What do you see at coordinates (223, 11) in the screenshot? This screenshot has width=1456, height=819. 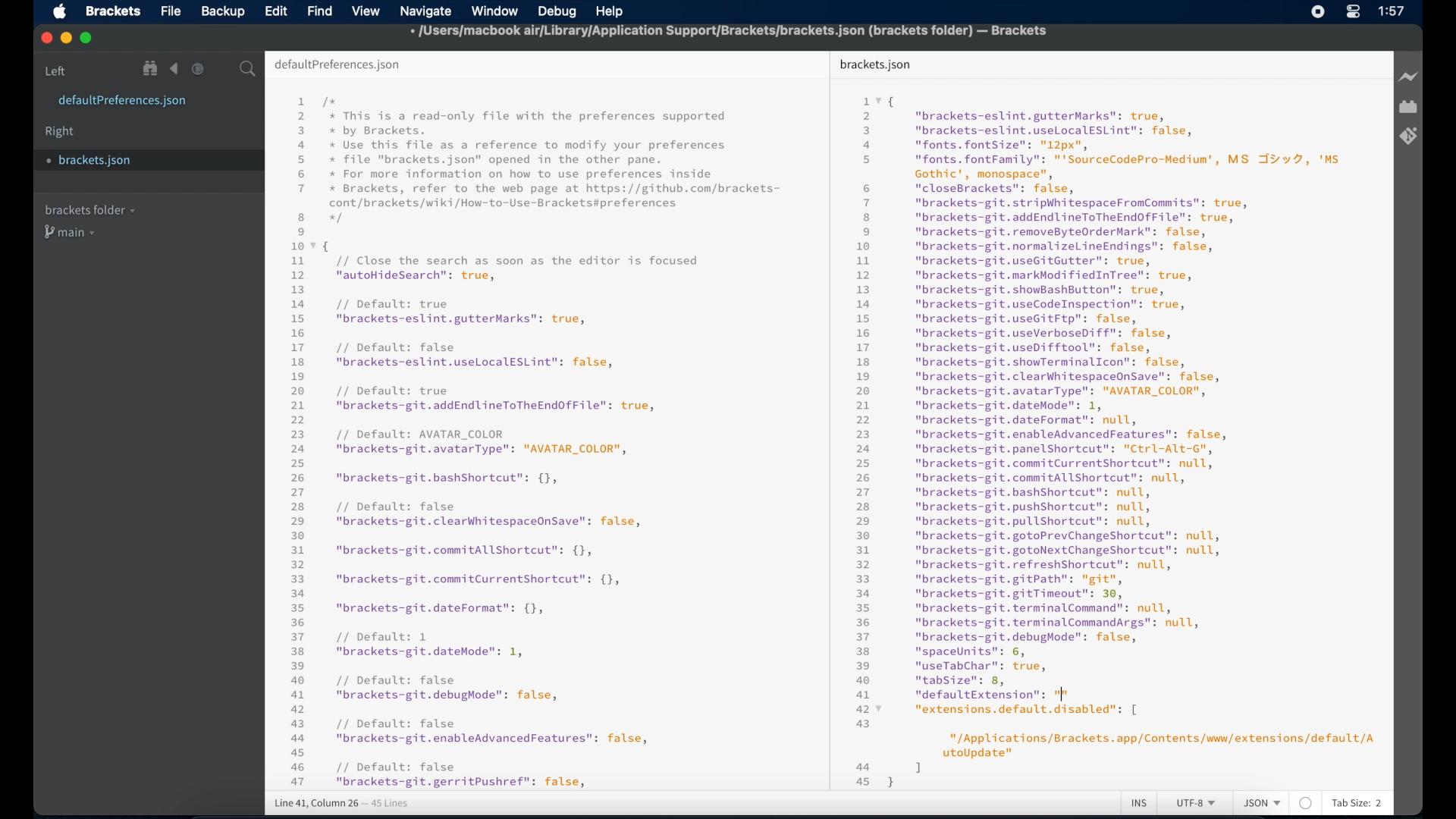 I see `backup` at bounding box center [223, 11].